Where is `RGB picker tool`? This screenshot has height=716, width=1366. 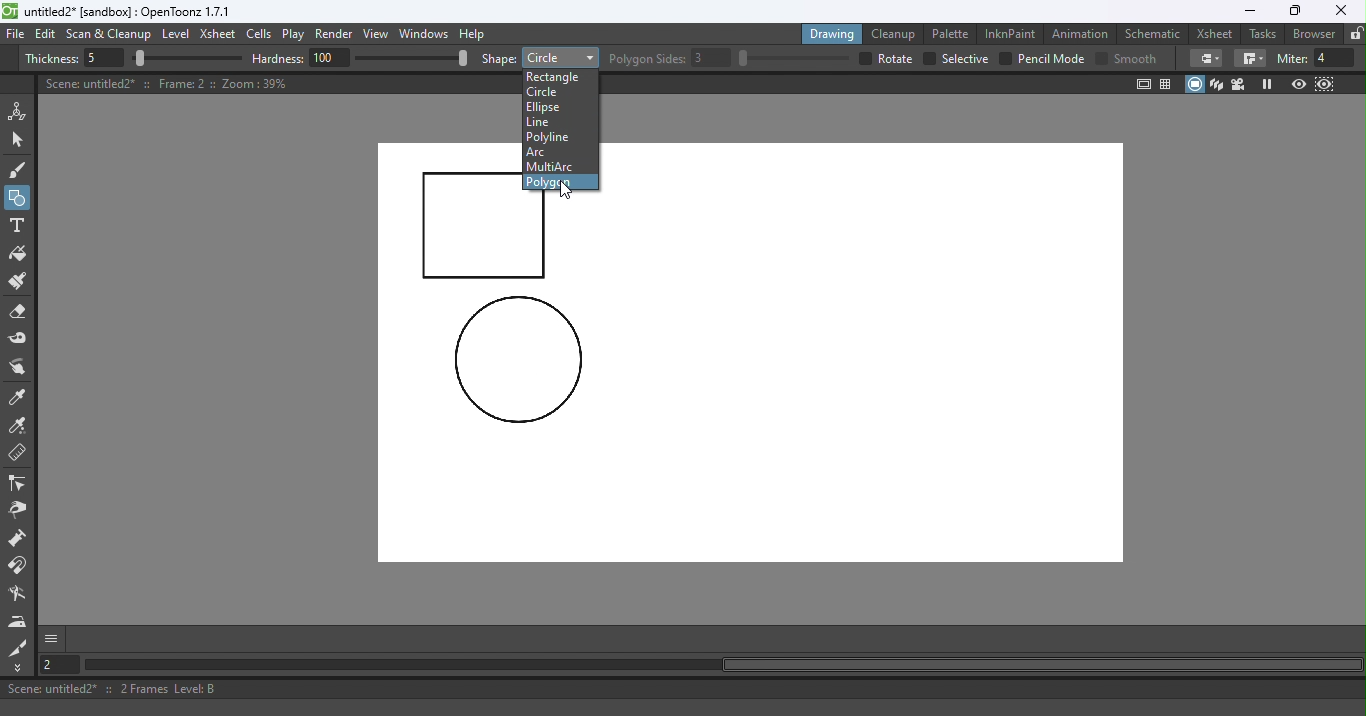 RGB picker tool is located at coordinates (21, 427).